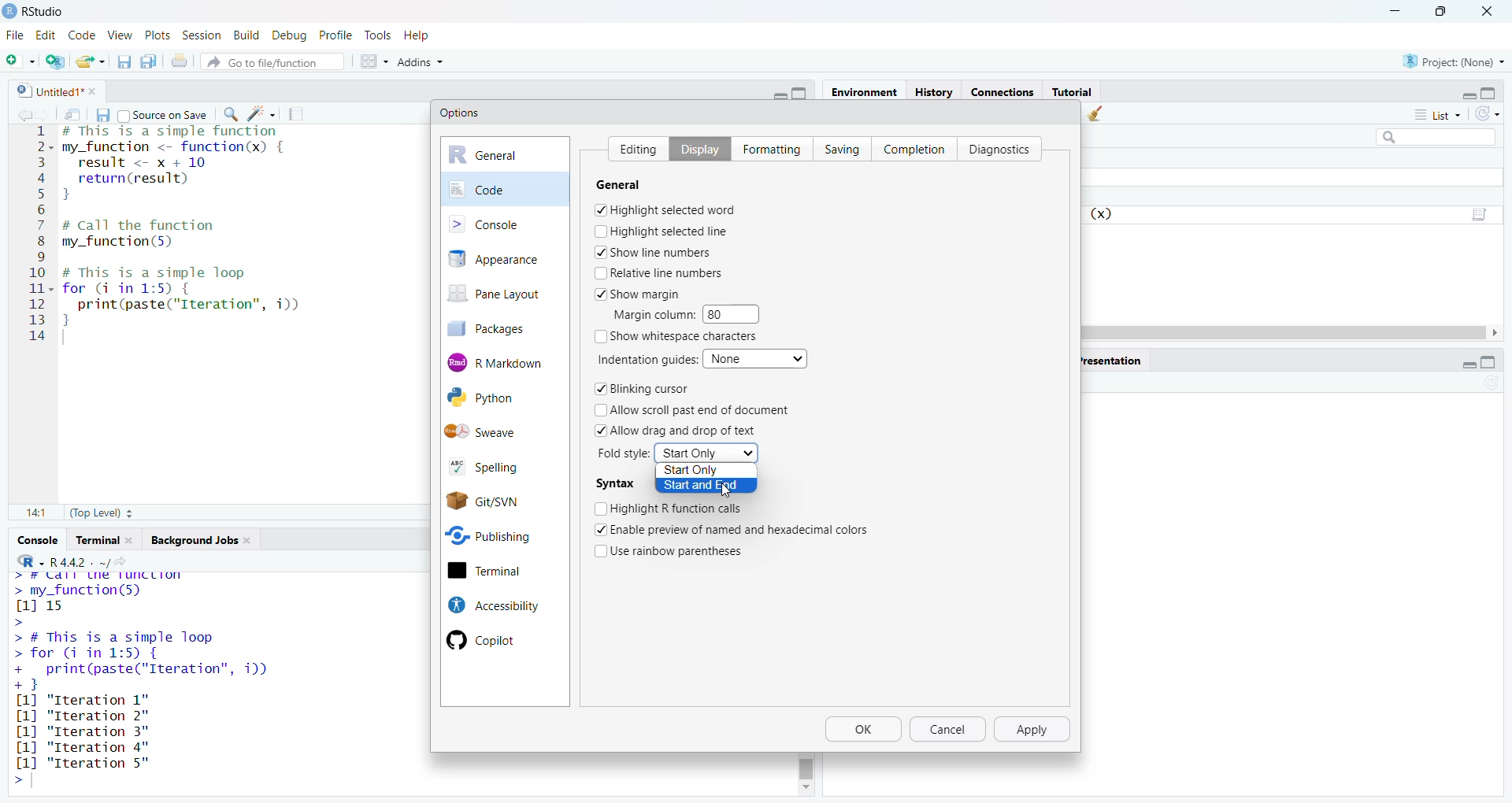  I want to click on Python, so click(499, 398).